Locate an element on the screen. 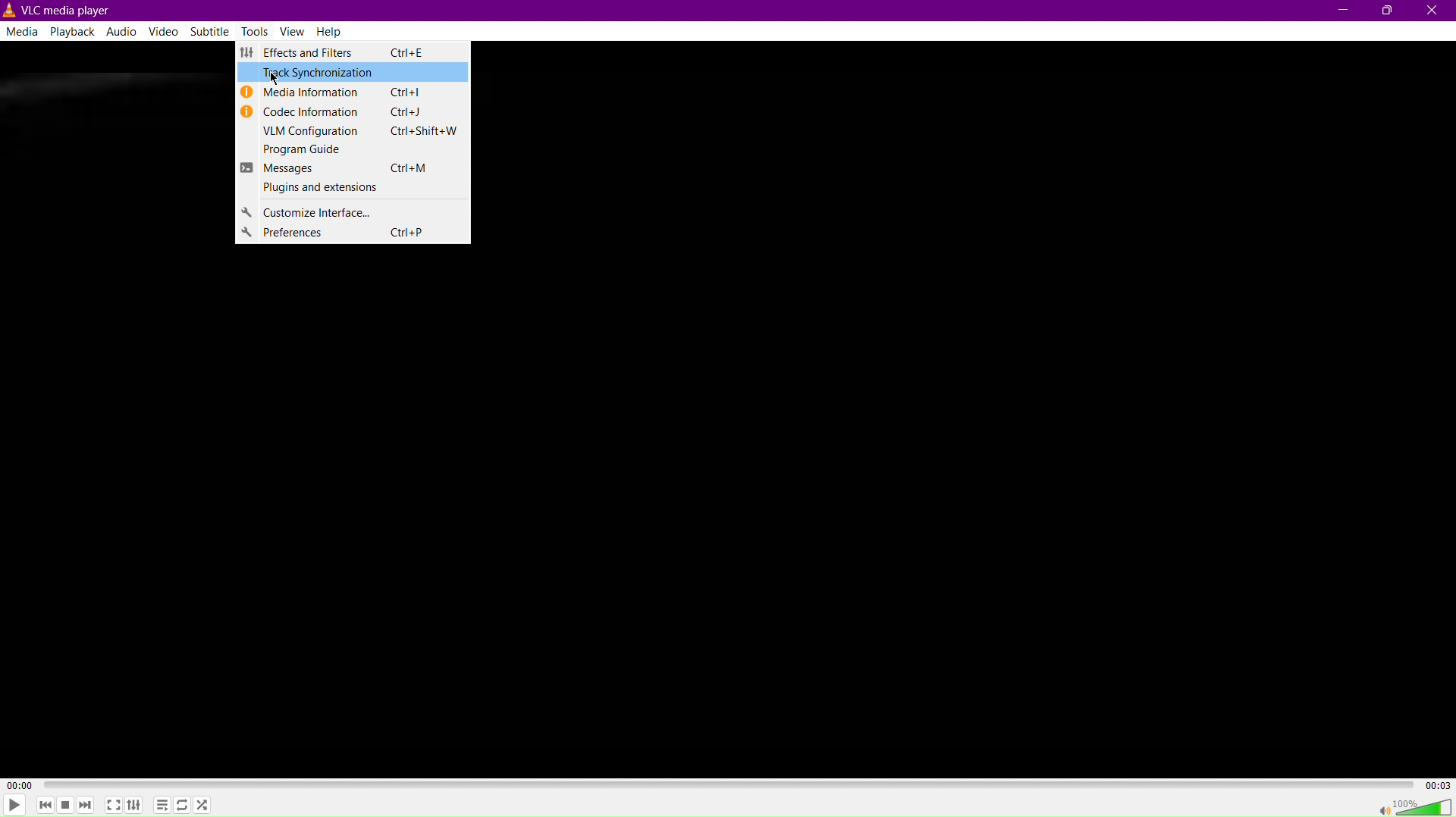 The width and height of the screenshot is (1456, 817). Preferences is located at coordinates (354, 236).